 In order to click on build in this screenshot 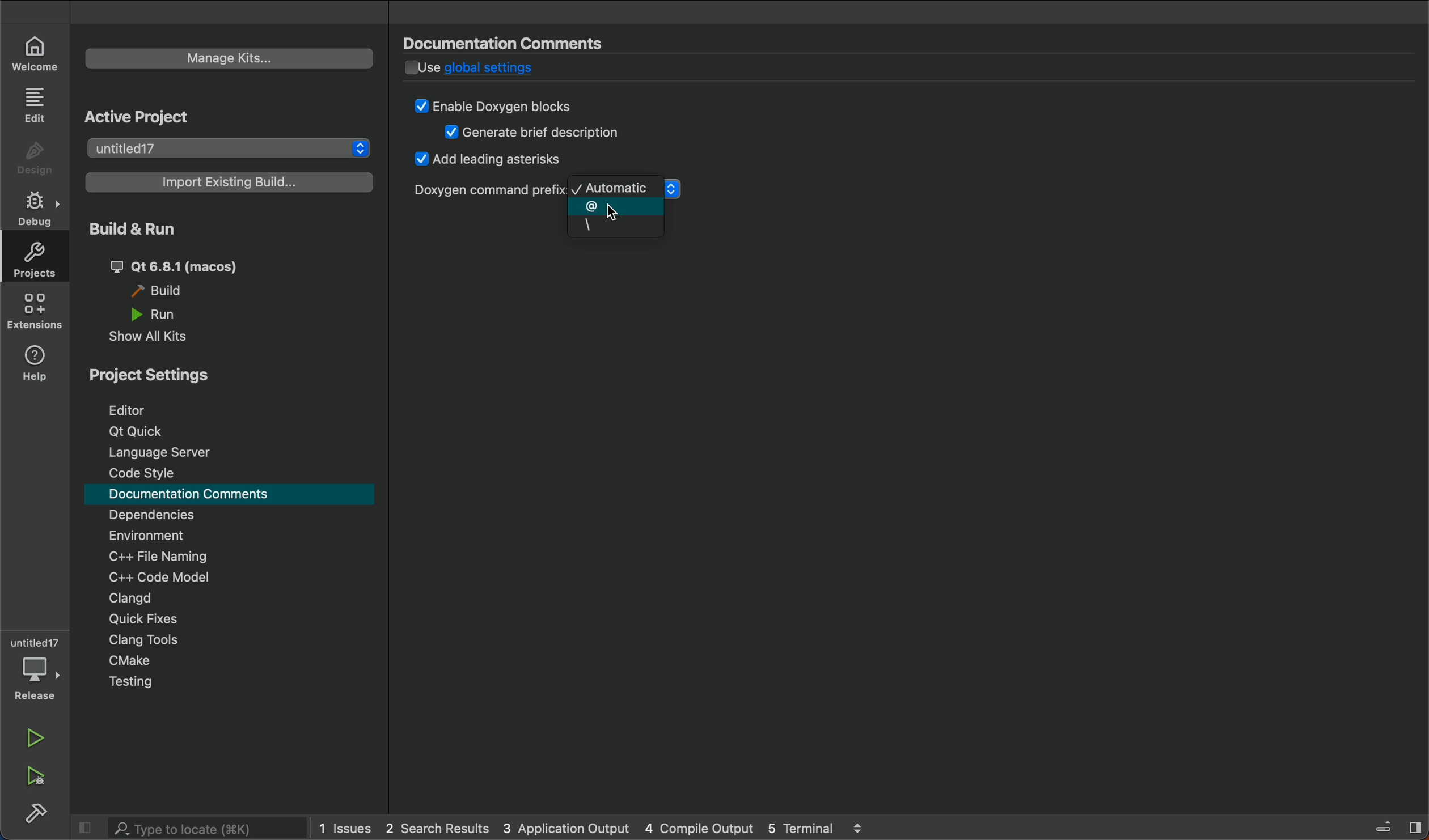, I will do `click(174, 289)`.